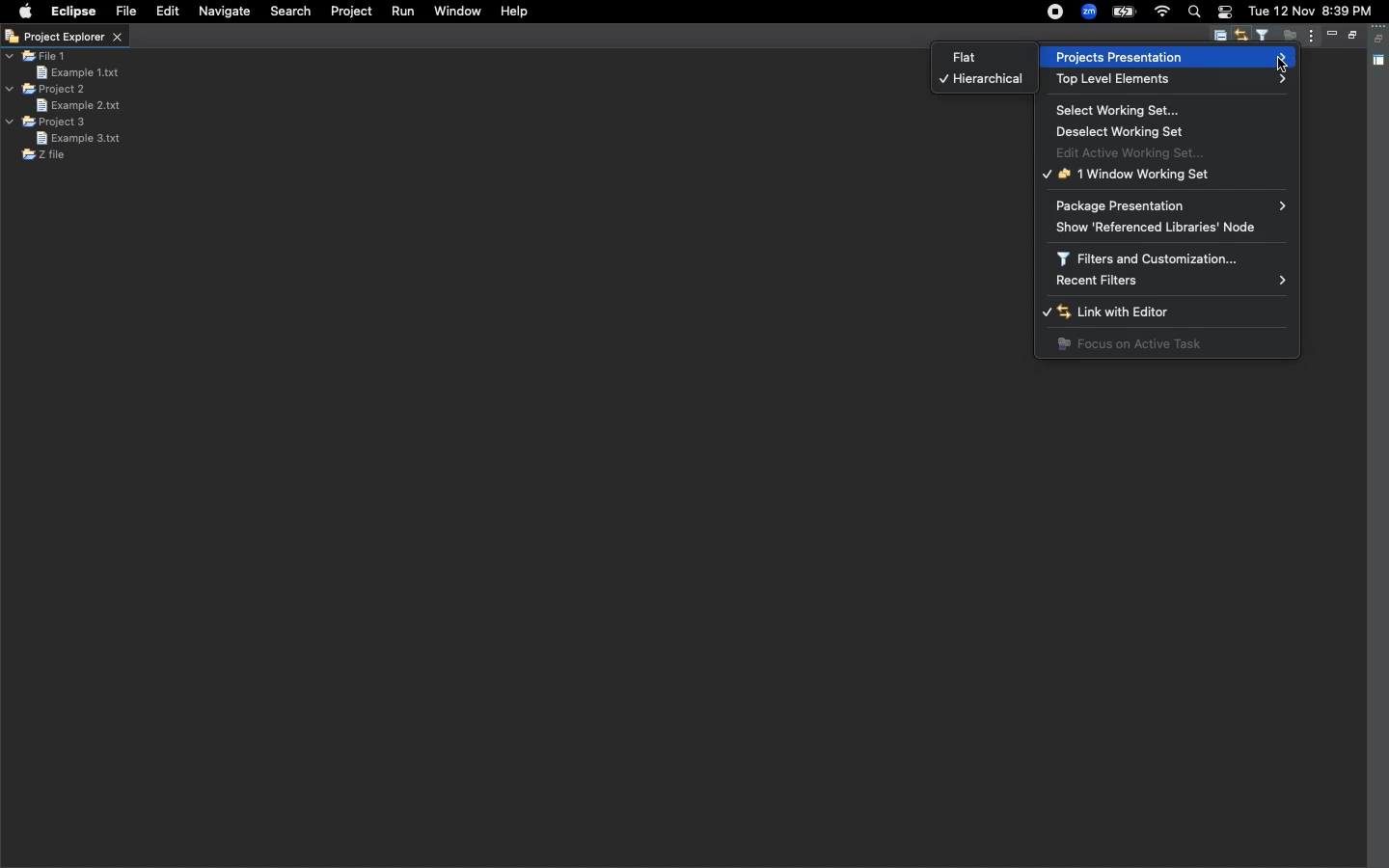 This screenshot has height=868, width=1389. I want to click on cursor , so click(1284, 65).